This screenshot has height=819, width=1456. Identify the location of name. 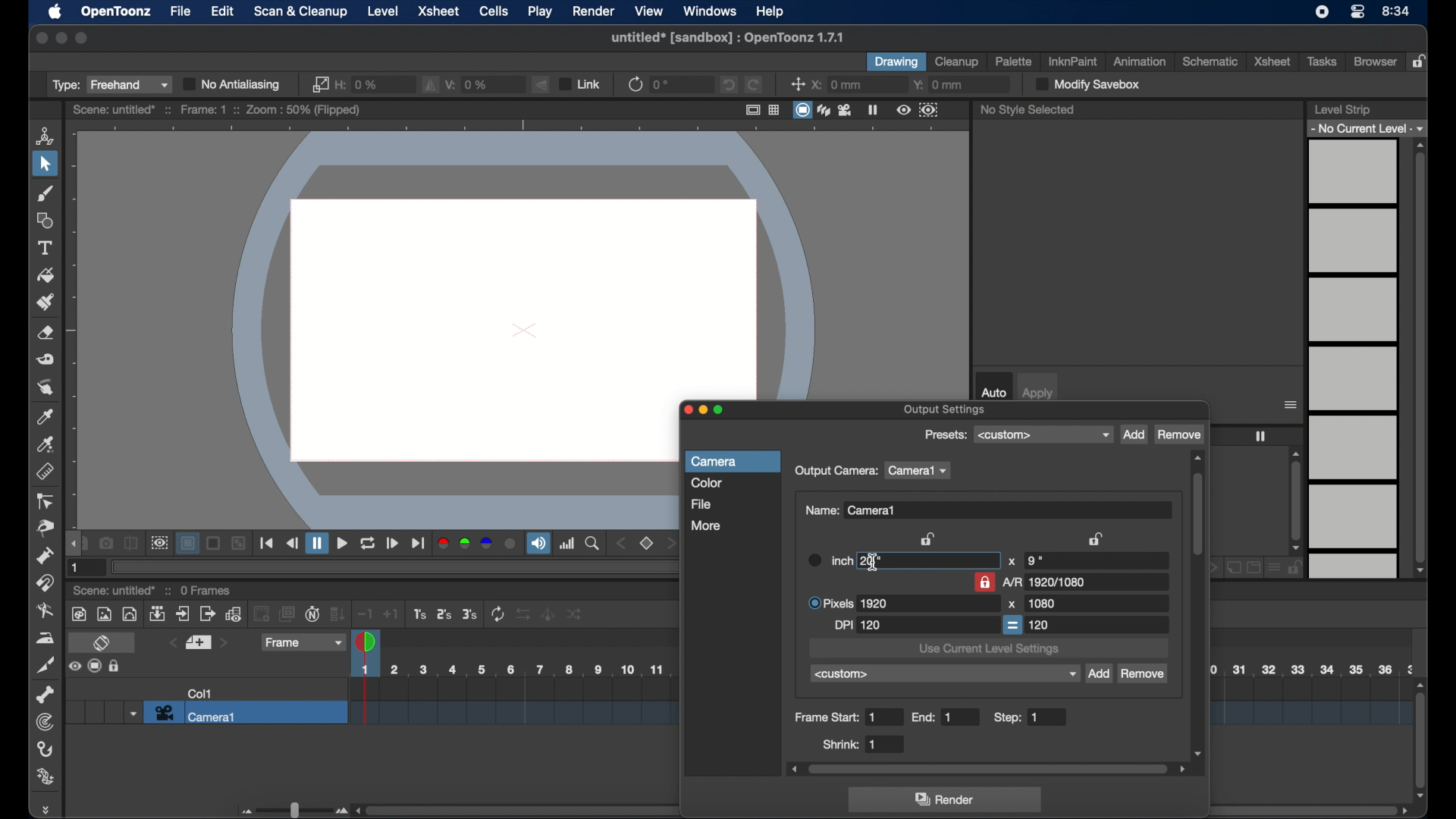
(852, 510).